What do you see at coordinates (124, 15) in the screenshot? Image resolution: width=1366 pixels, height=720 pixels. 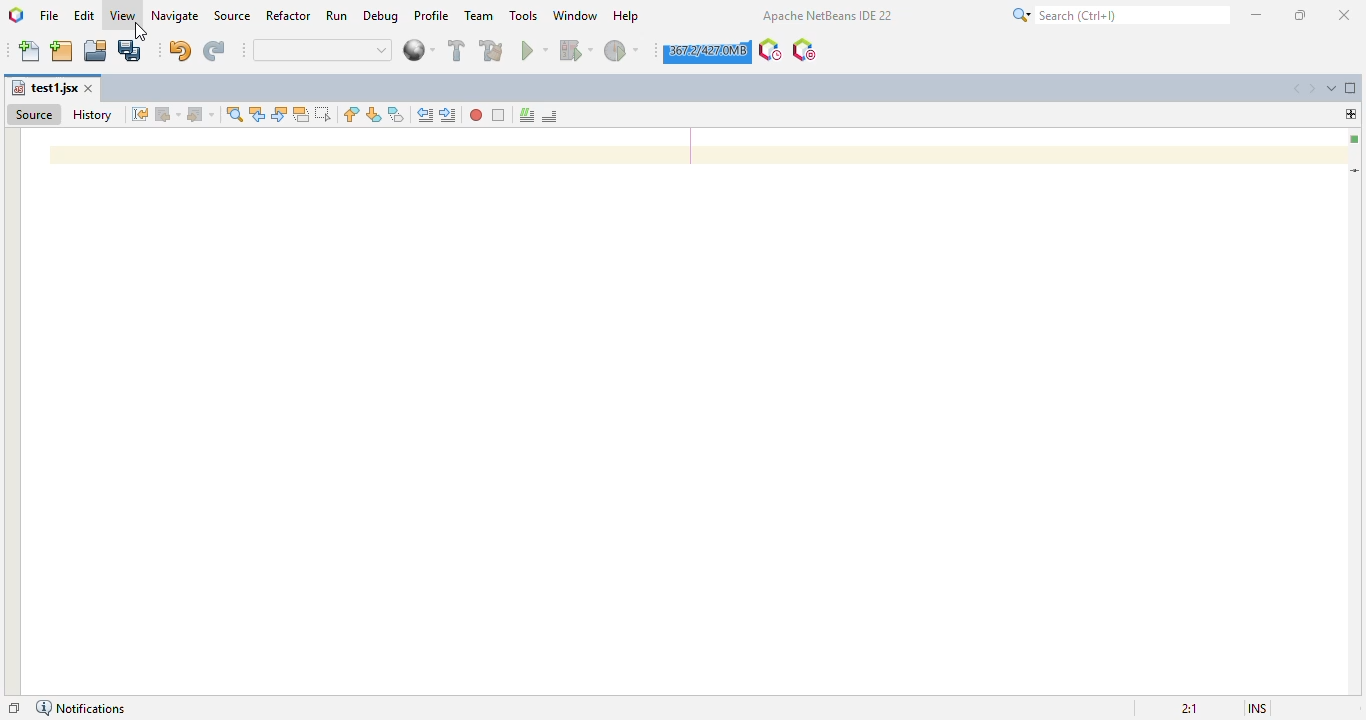 I see `view` at bounding box center [124, 15].